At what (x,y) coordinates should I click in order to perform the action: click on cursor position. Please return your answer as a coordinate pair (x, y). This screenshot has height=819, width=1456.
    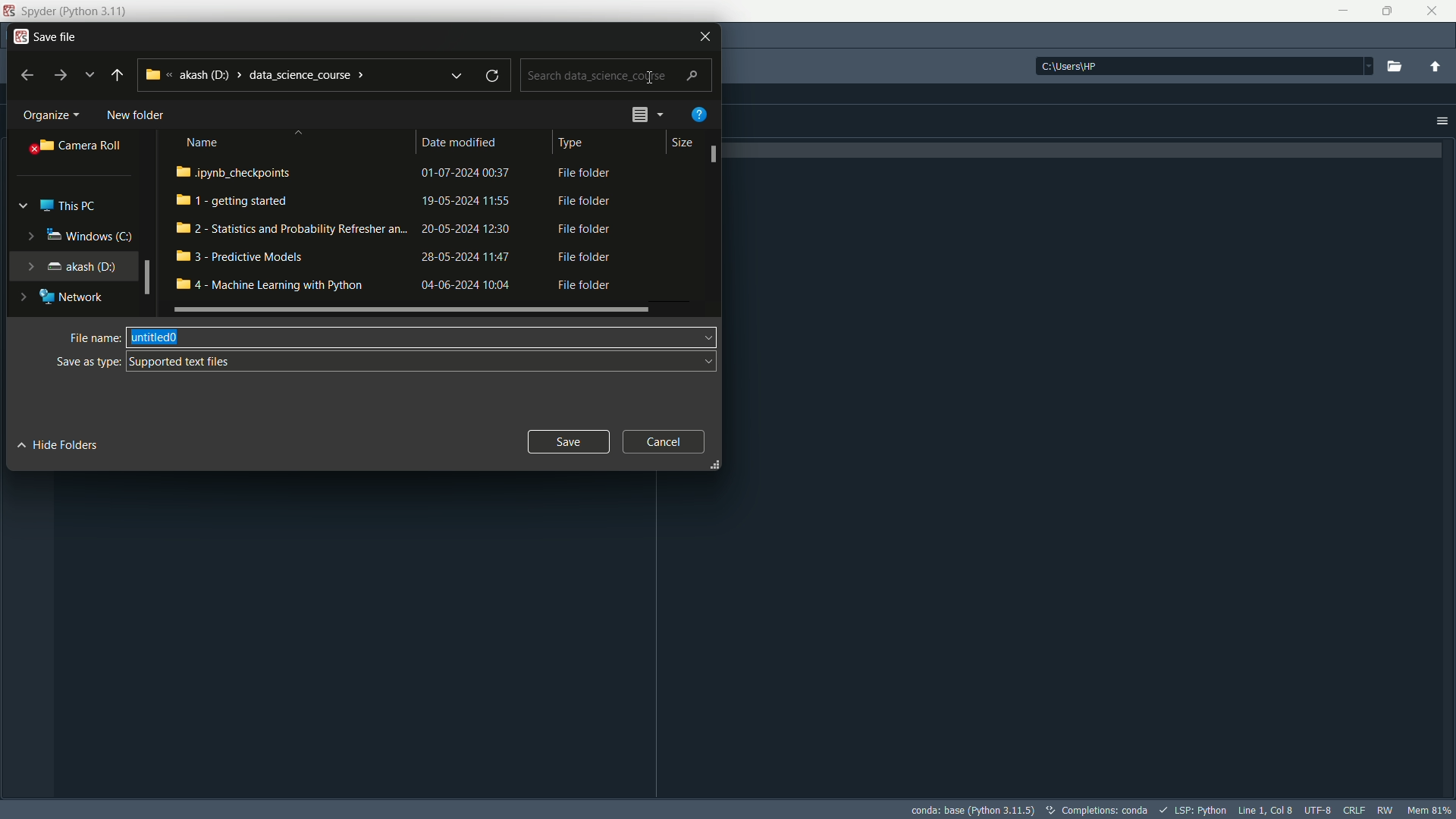
    Looking at the image, I should click on (1267, 810).